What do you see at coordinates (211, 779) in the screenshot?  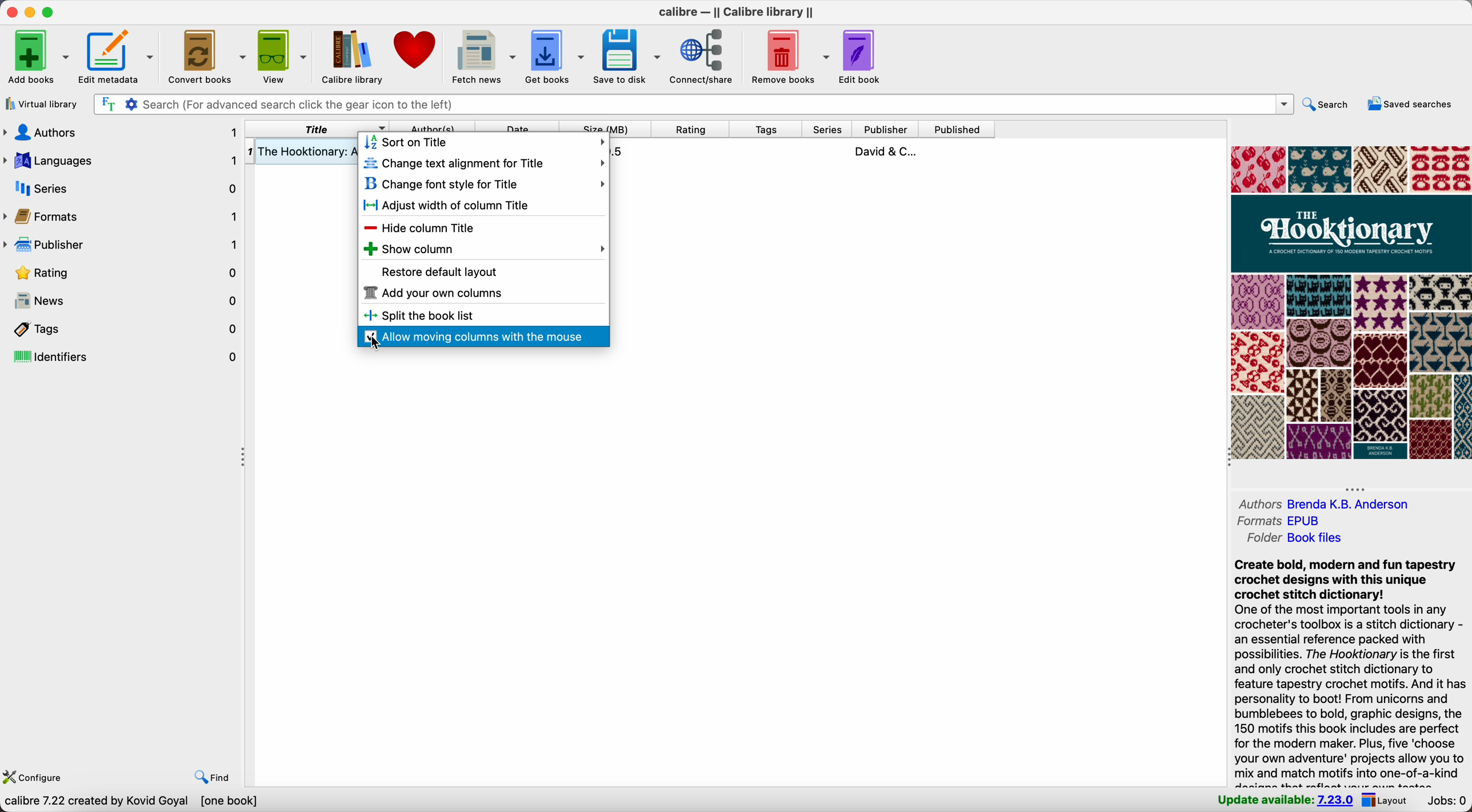 I see `find` at bounding box center [211, 779].